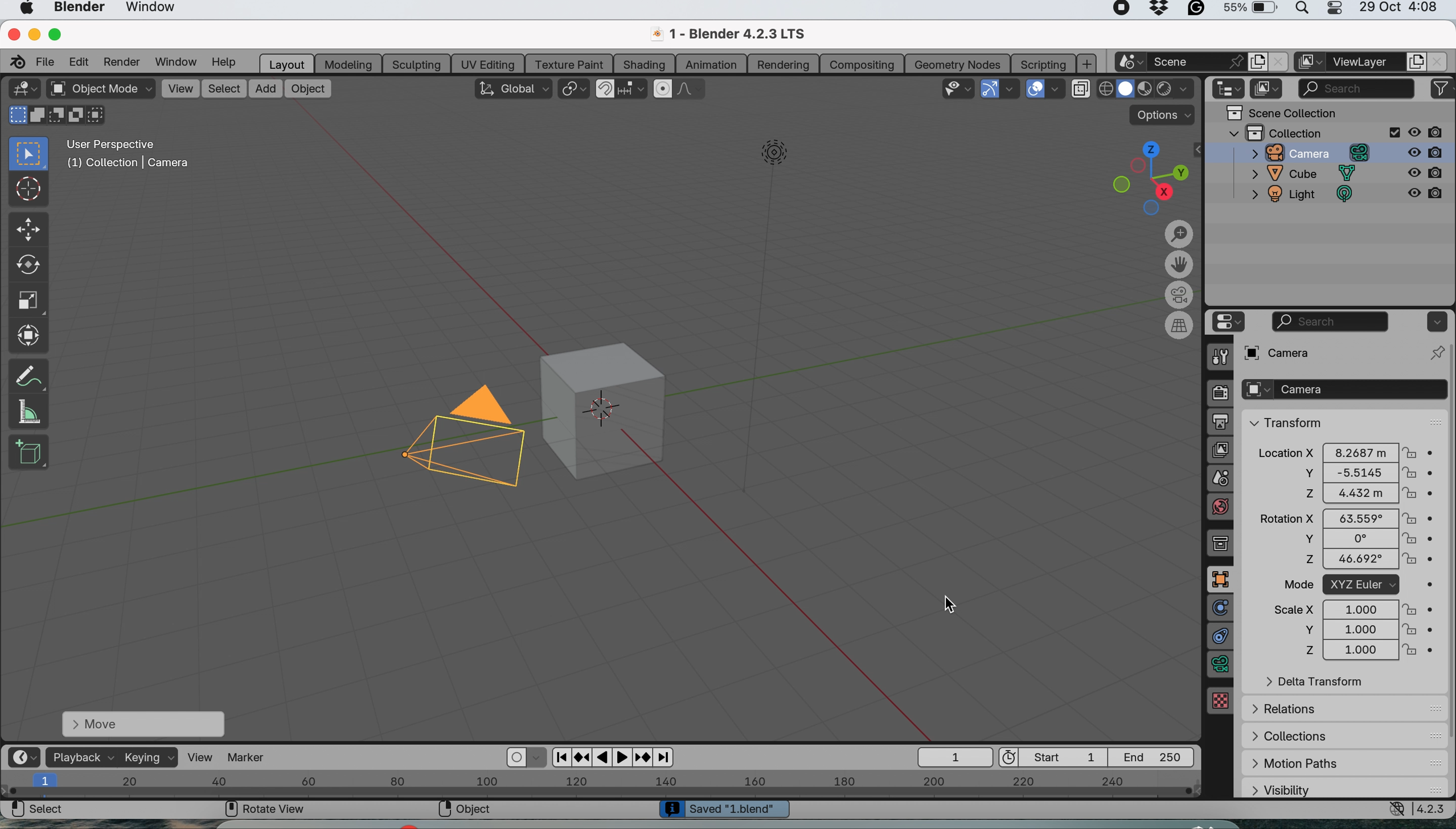  What do you see at coordinates (606, 412) in the screenshot?
I see `object` at bounding box center [606, 412].